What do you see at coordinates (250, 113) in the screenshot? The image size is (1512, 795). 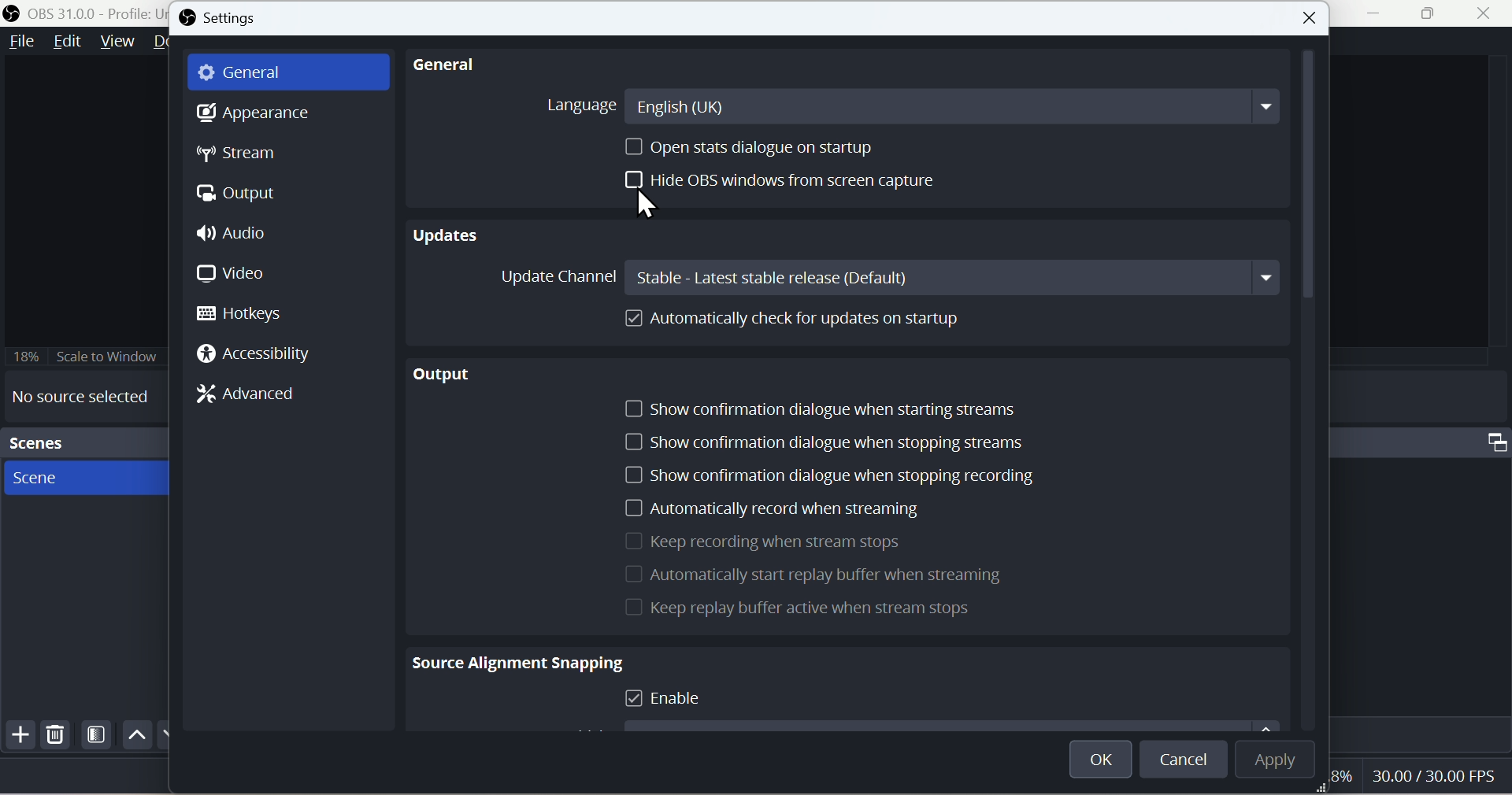 I see `Appearance` at bounding box center [250, 113].